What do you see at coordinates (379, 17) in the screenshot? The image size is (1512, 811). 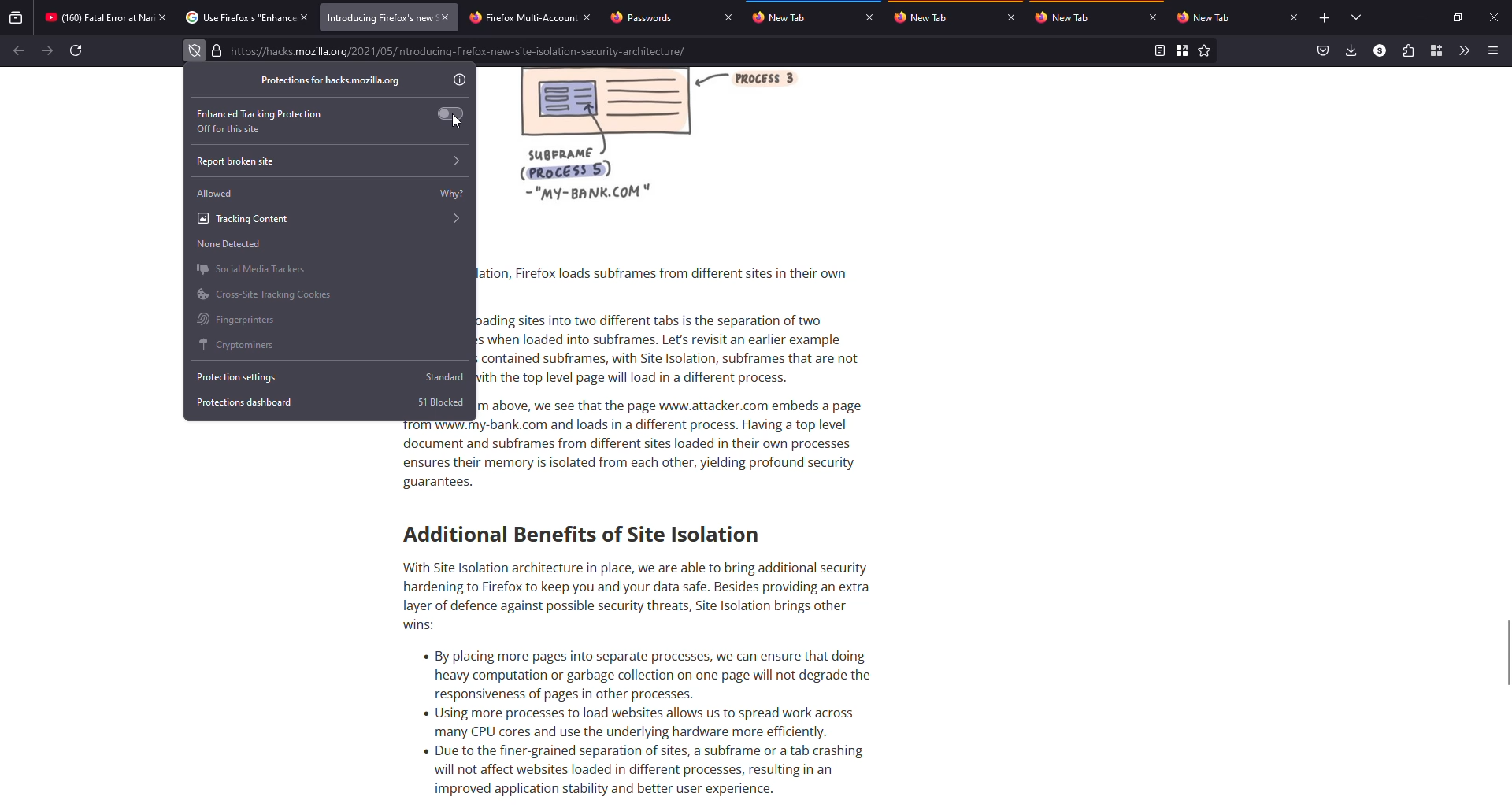 I see `tab` at bounding box center [379, 17].